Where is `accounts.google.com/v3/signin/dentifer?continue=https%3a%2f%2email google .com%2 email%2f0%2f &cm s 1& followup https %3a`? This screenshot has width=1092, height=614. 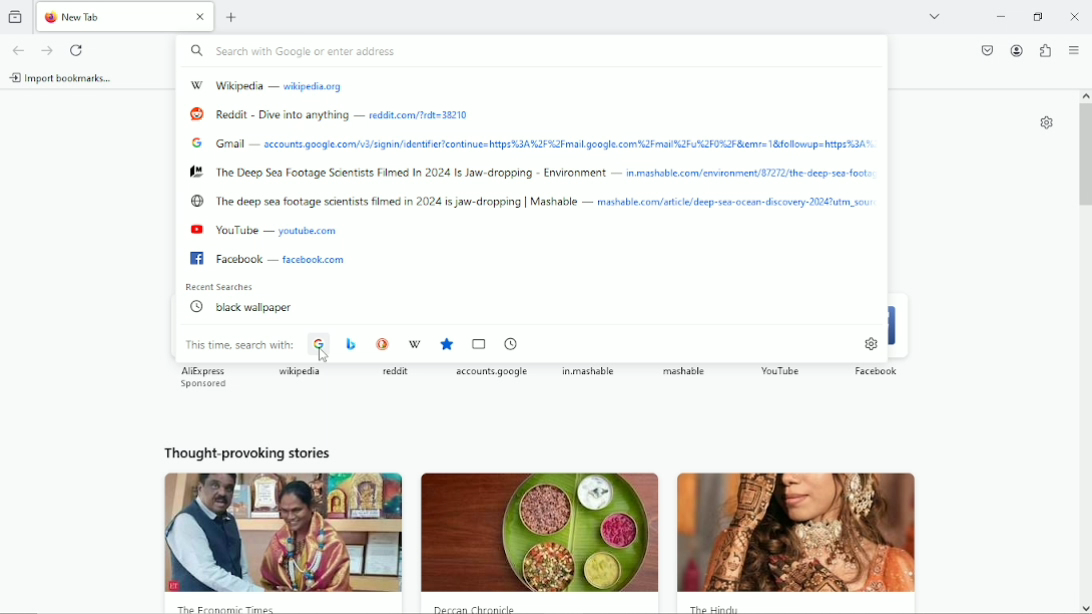 accounts.google.com/v3/signin/dentifer?continue=https%3a%2f%2email google .com%2 email%2f0%2f &cm s 1& followup https %3a is located at coordinates (574, 144).